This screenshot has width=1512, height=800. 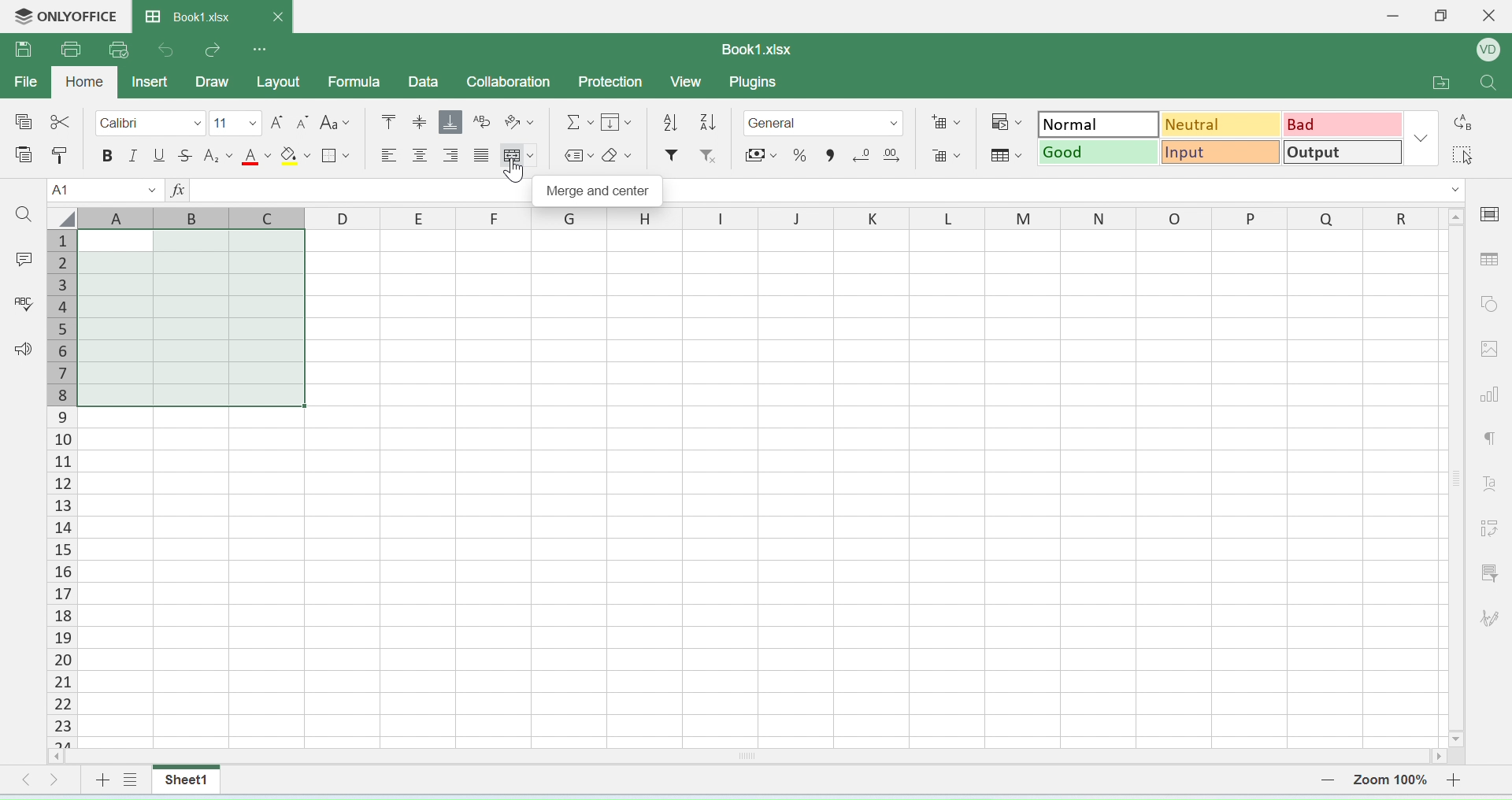 What do you see at coordinates (481, 157) in the screenshot?
I see `center align` at bounding box center [481, 157].